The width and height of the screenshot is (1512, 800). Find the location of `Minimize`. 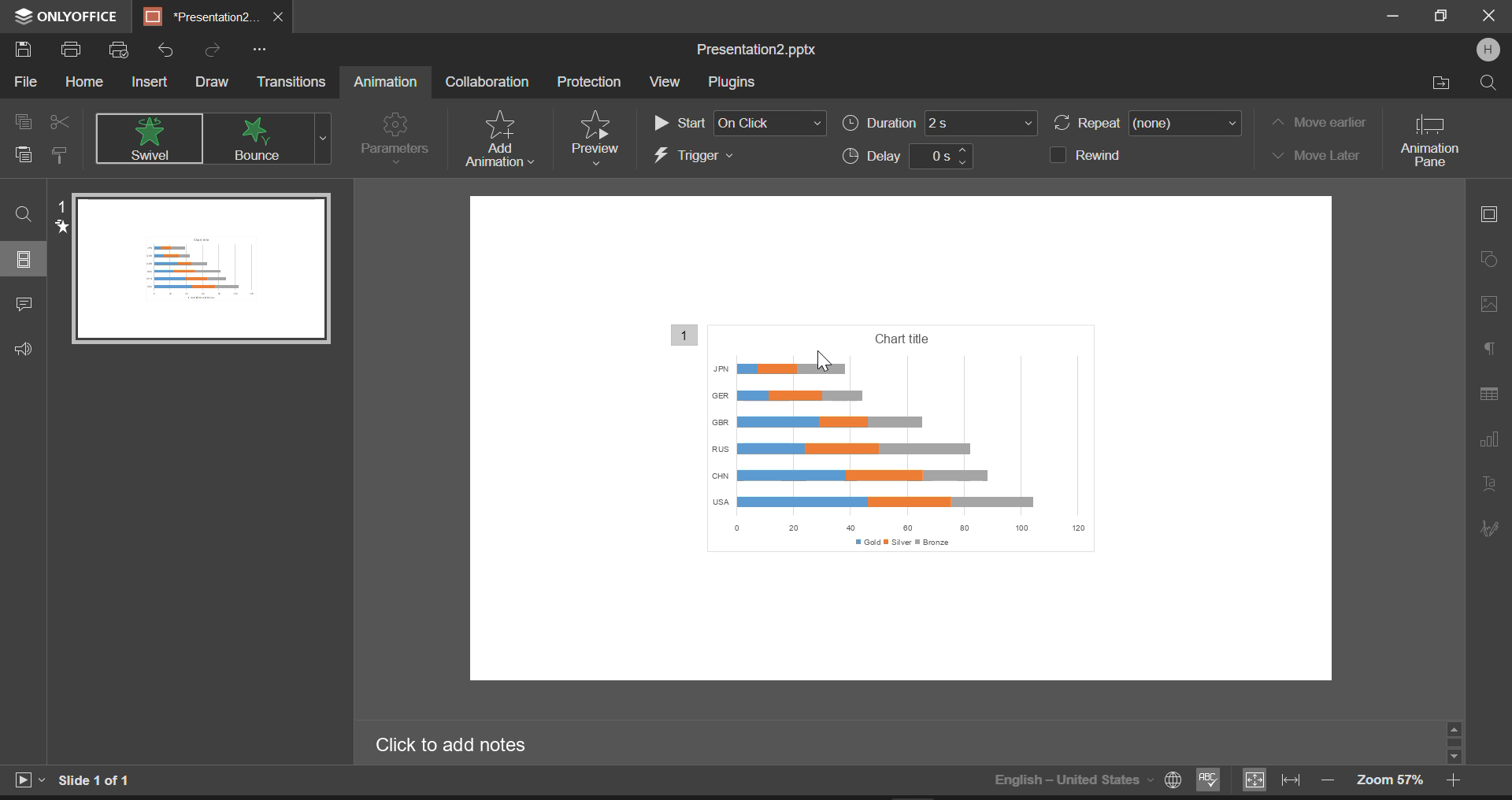

Minimize is located at coordinates (1443, 17).